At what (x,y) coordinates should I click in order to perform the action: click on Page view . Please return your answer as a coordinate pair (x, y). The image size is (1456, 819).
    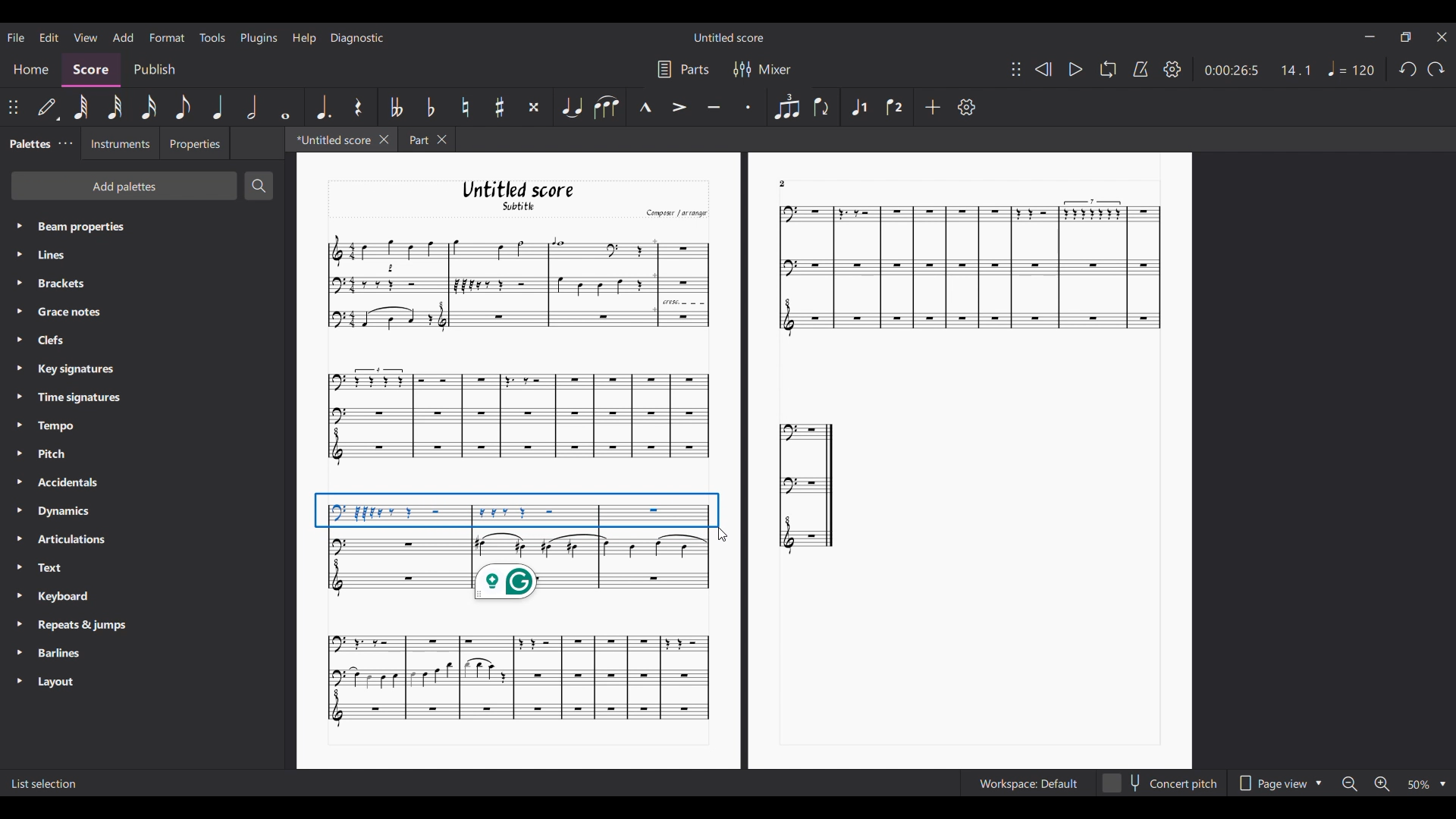
    Looking at the image, I should click on (1279, 783).